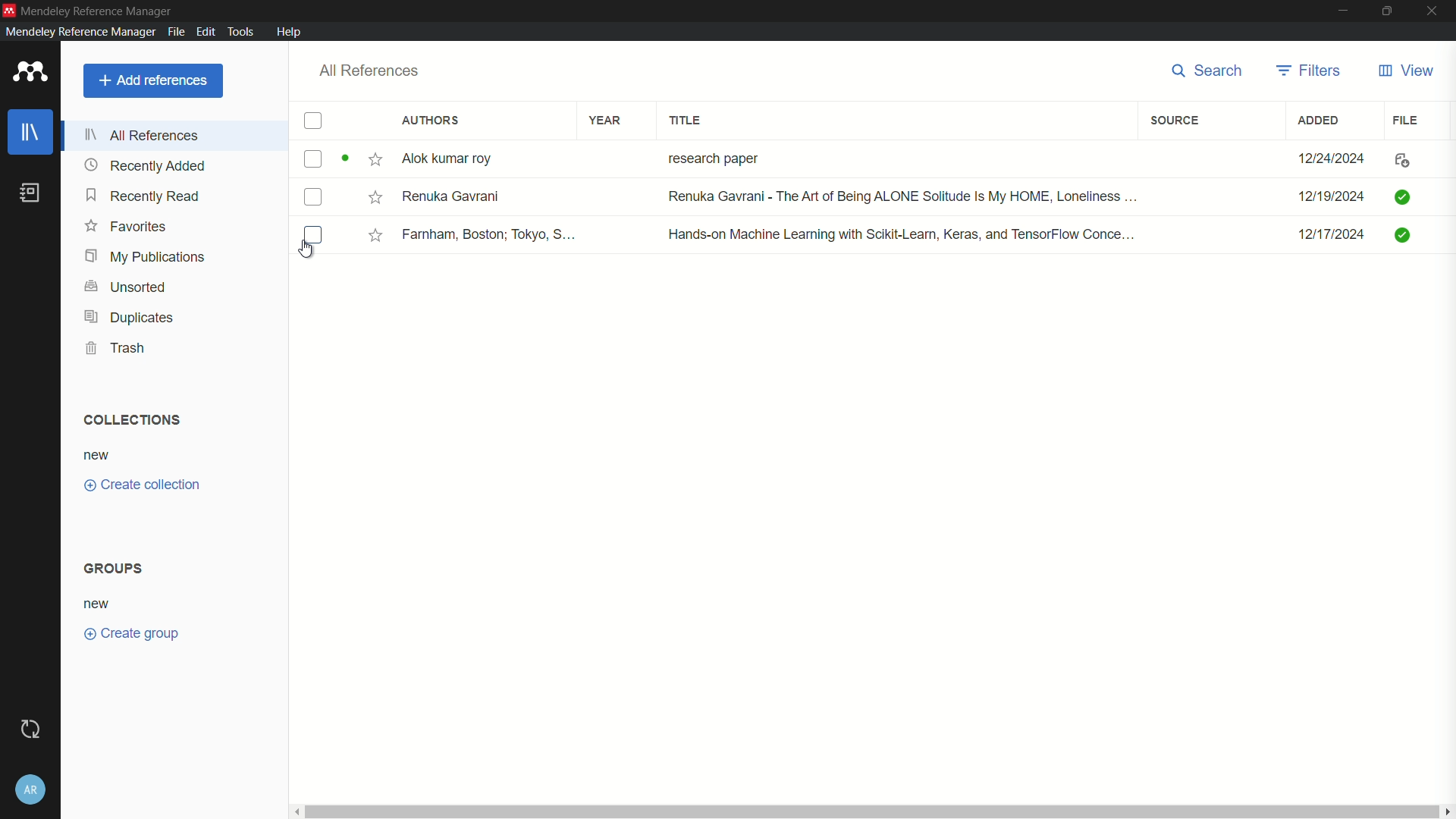 This screenshot has width=1456, height=819. What do you see at coordinates (115, 568) in the screenshot?
I see `groups` at bounding box center [115, 568].